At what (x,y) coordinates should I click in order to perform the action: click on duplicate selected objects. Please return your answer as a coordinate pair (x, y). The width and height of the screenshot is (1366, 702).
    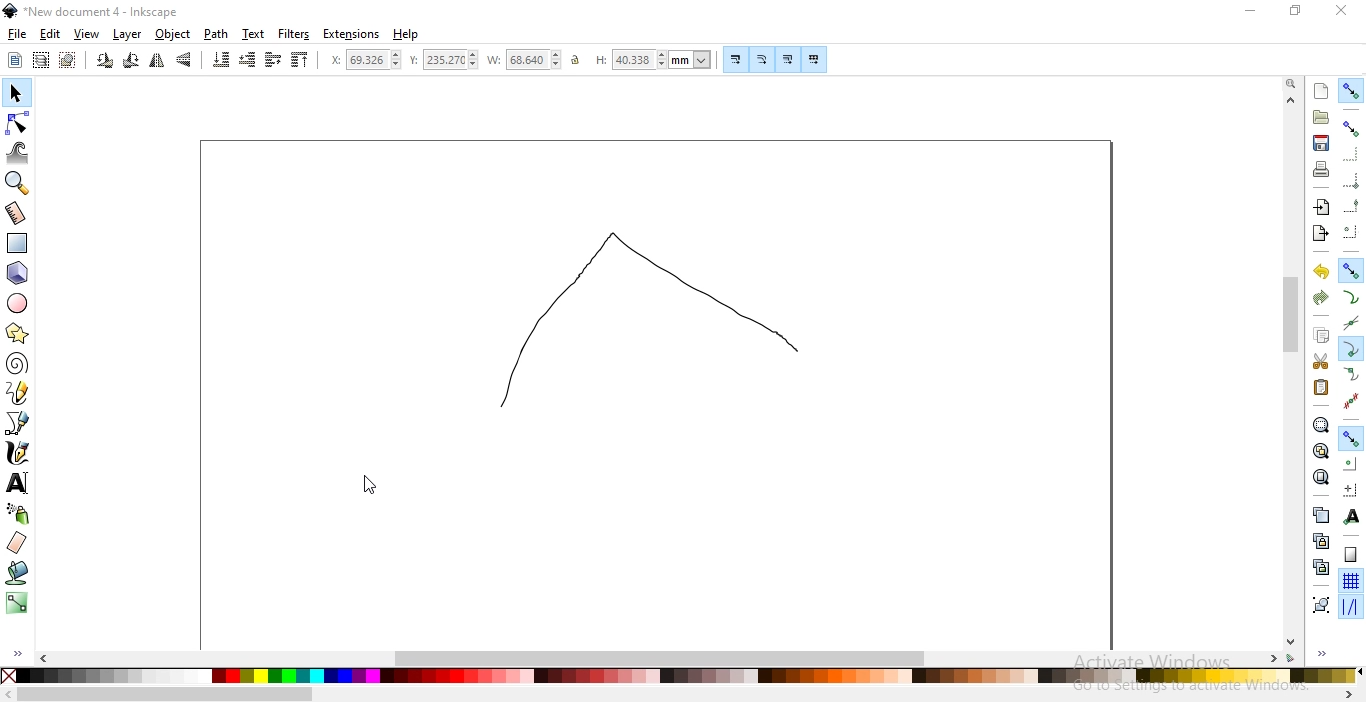
    Looking at the image, I should click on (1320, 514).